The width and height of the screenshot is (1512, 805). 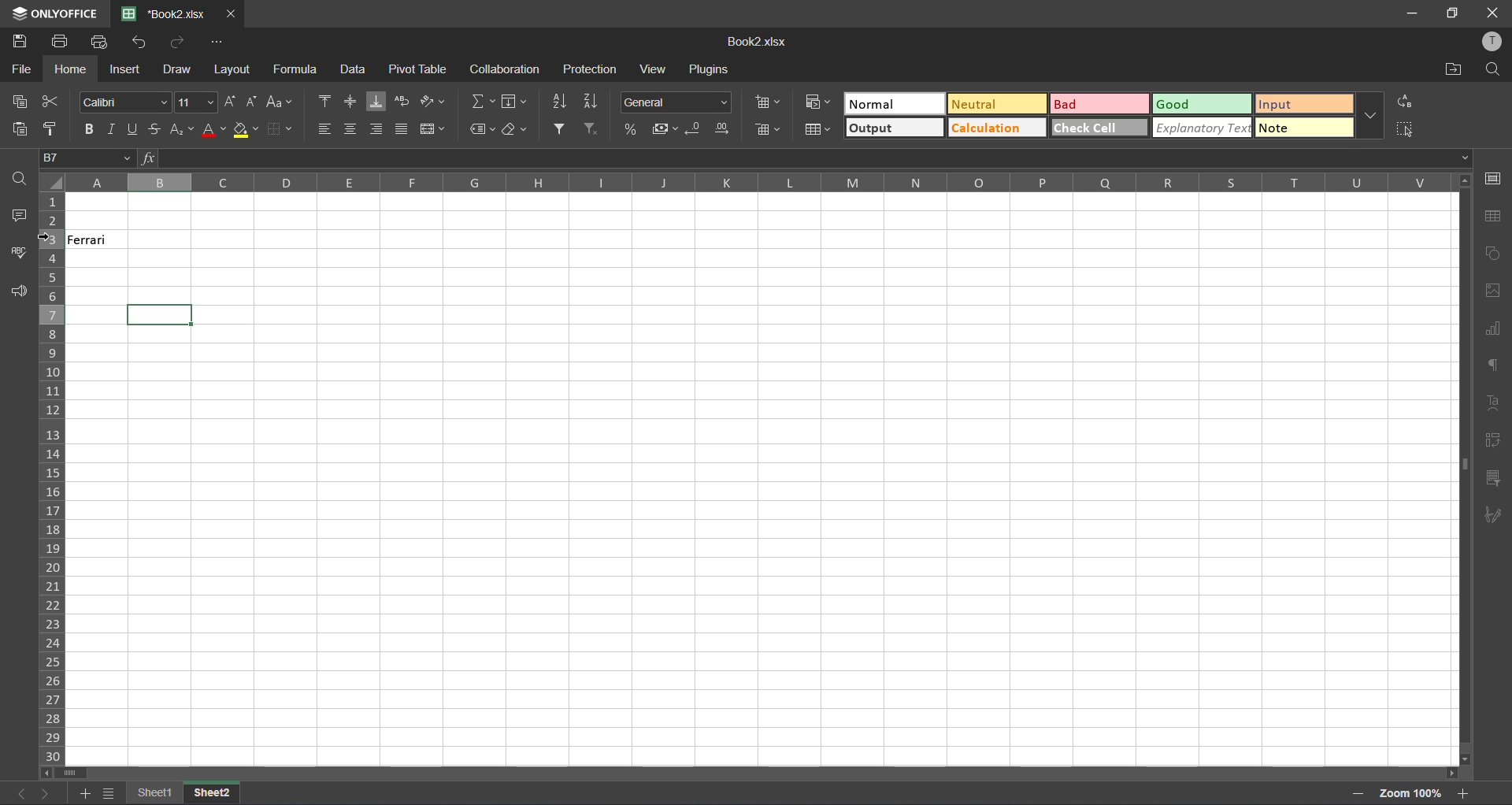 I want to click on customize quick access toolbar, so click(x=220, y=43).